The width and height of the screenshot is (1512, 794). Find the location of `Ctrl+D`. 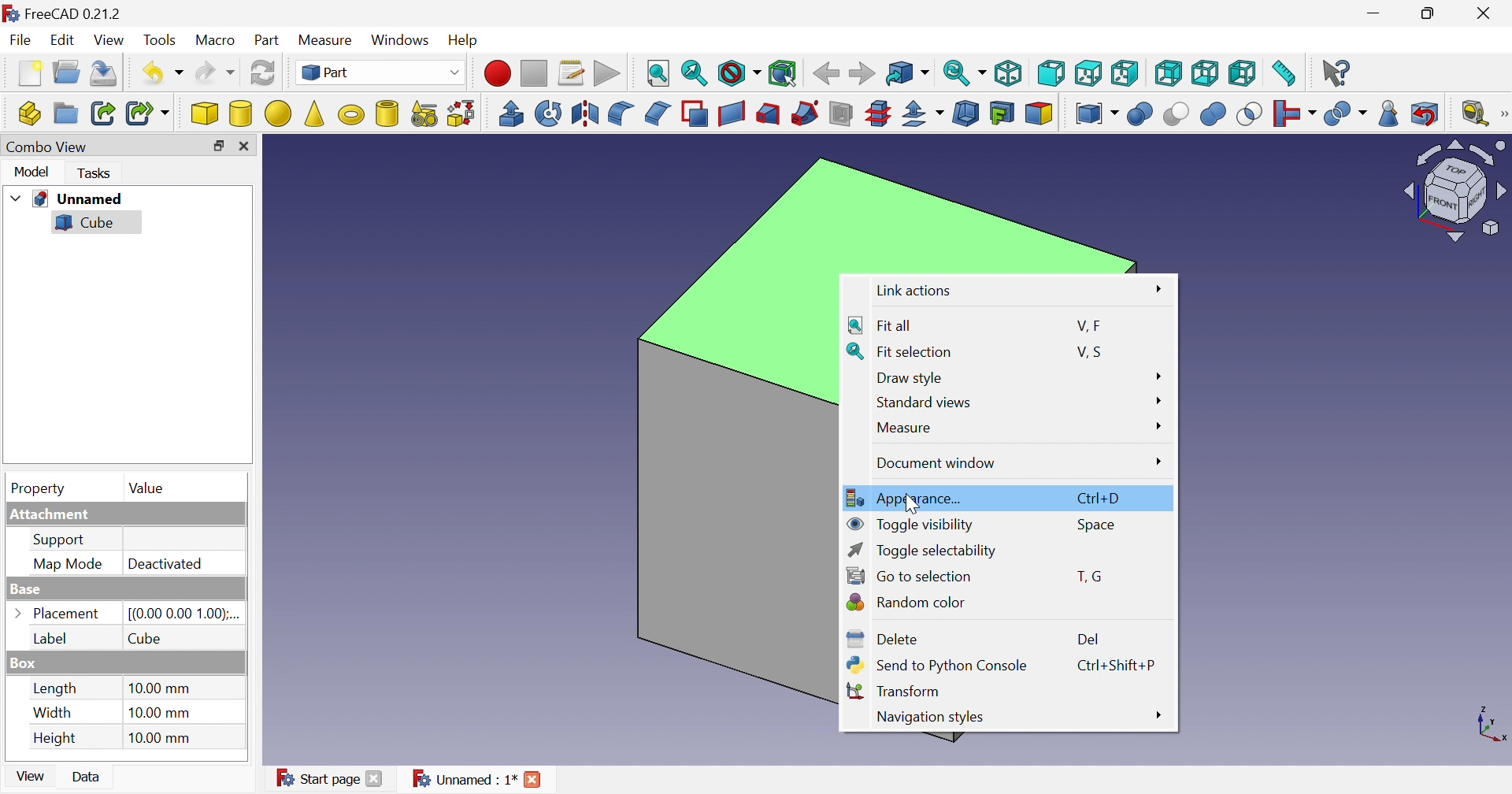

Ctrl+D is located at coordinates (1103, 497).